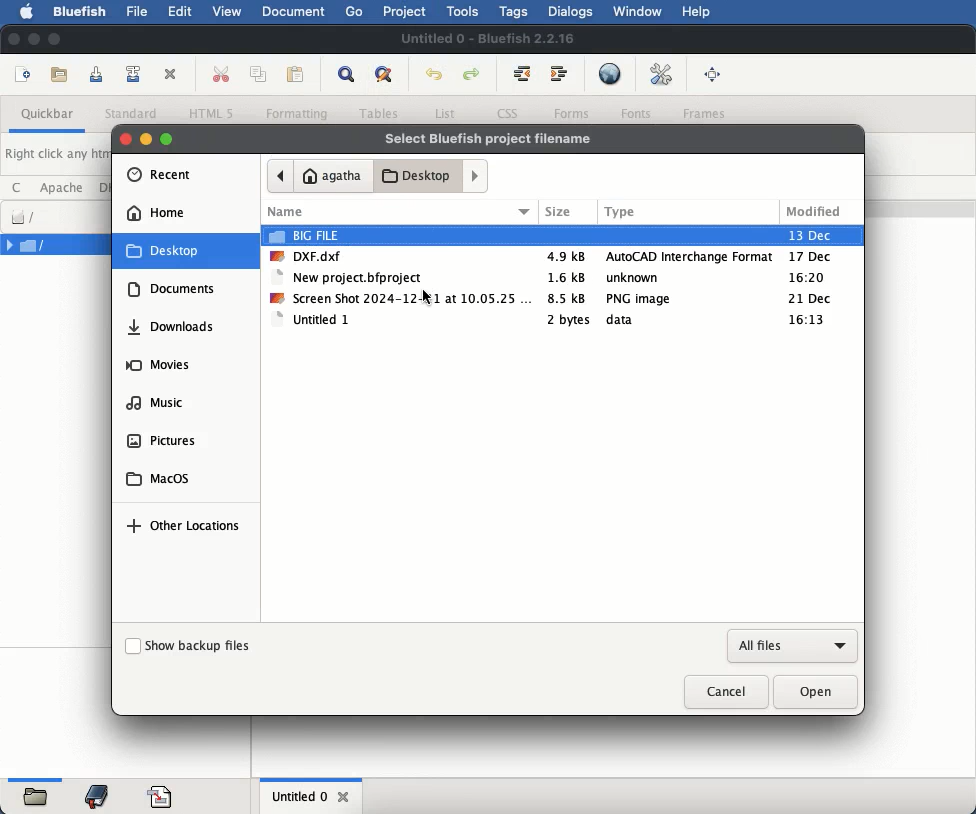 The width and height of the screenshot is (976, 814). What do you see at coordinates (705, 113) in the screenshot?
I see `Frames` at bounding box center [705, 113].